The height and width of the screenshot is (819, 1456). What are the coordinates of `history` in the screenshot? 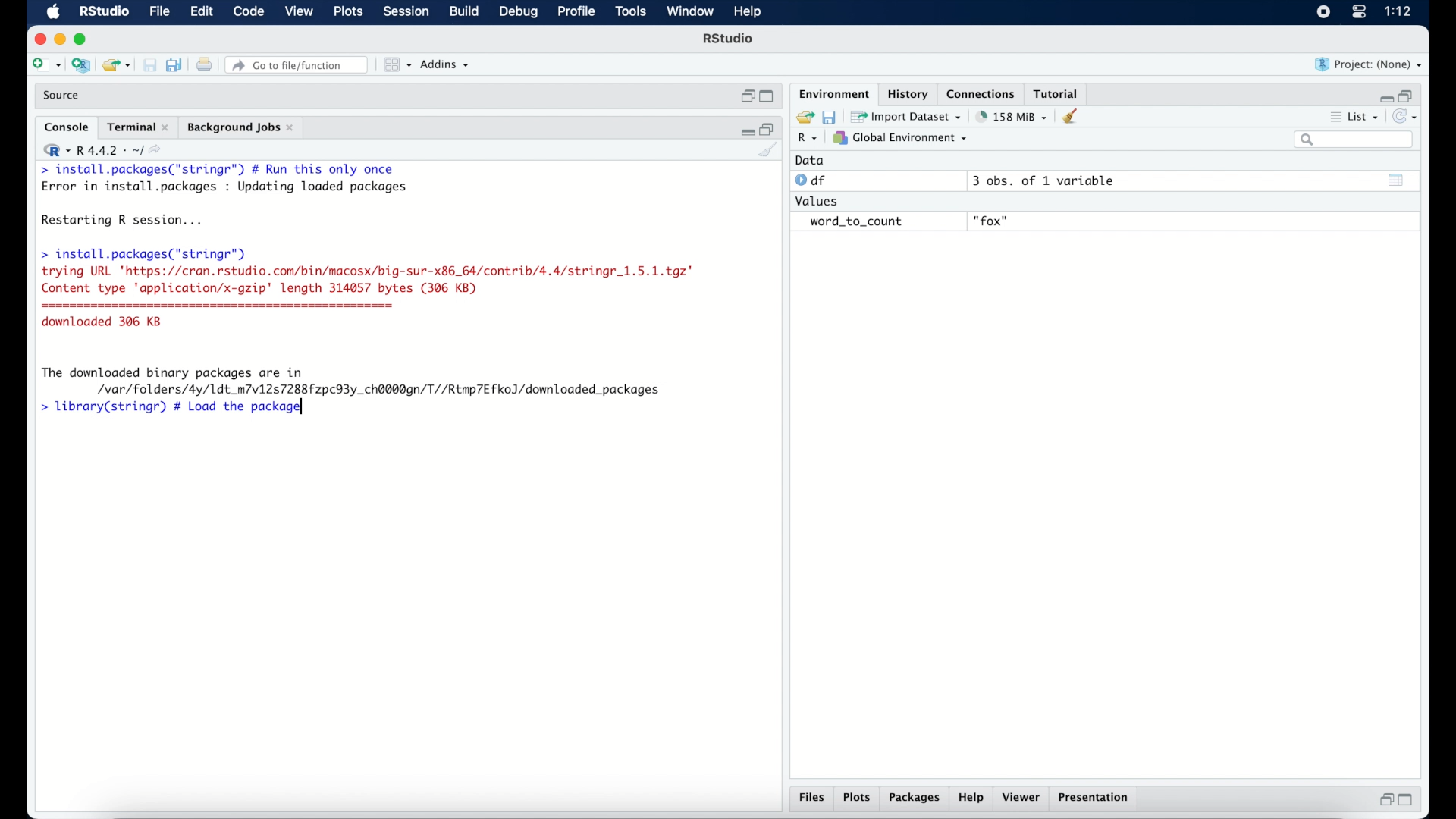 It's located at (906, 94).